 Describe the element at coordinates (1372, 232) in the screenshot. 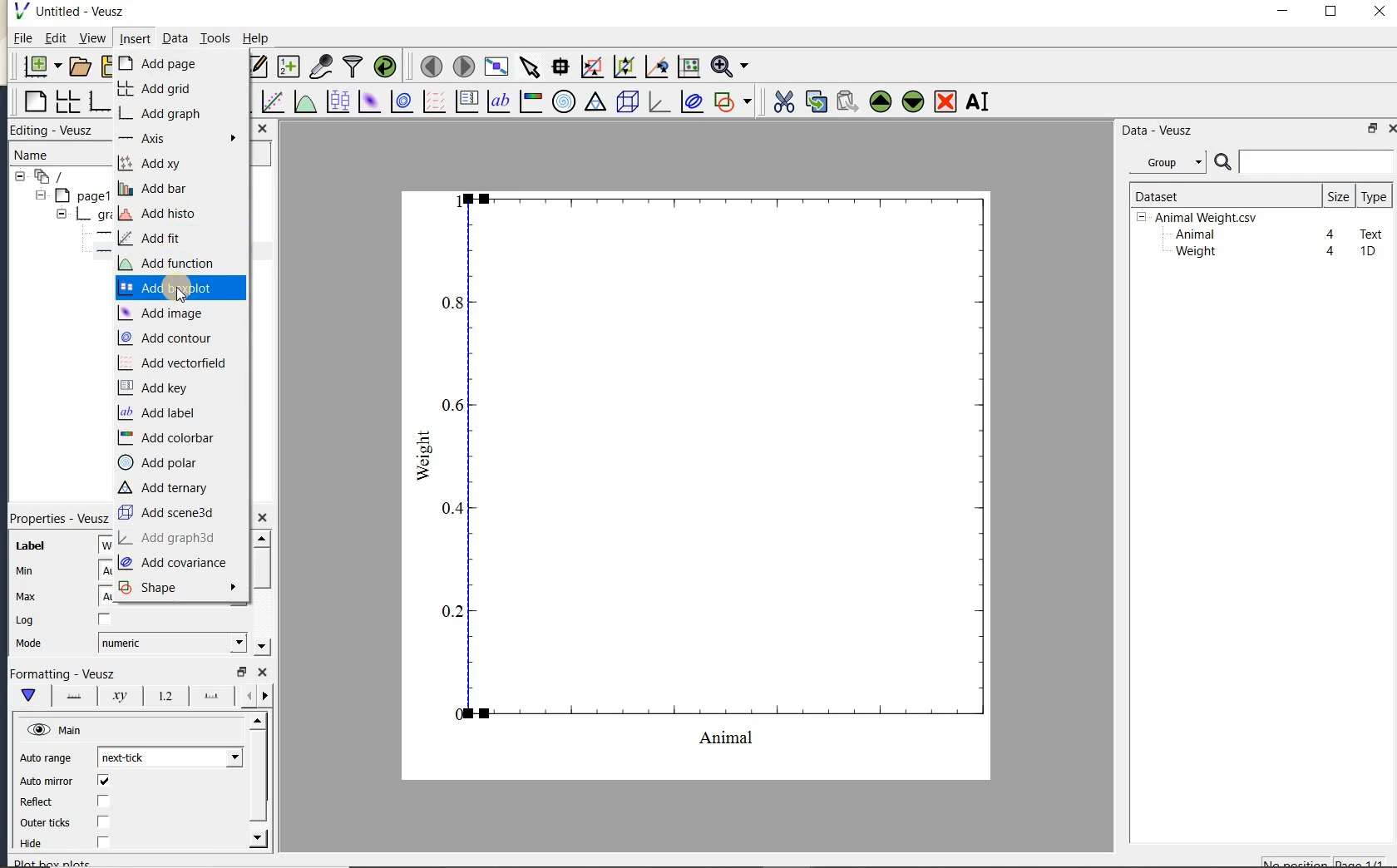

I see `Text` at that location.